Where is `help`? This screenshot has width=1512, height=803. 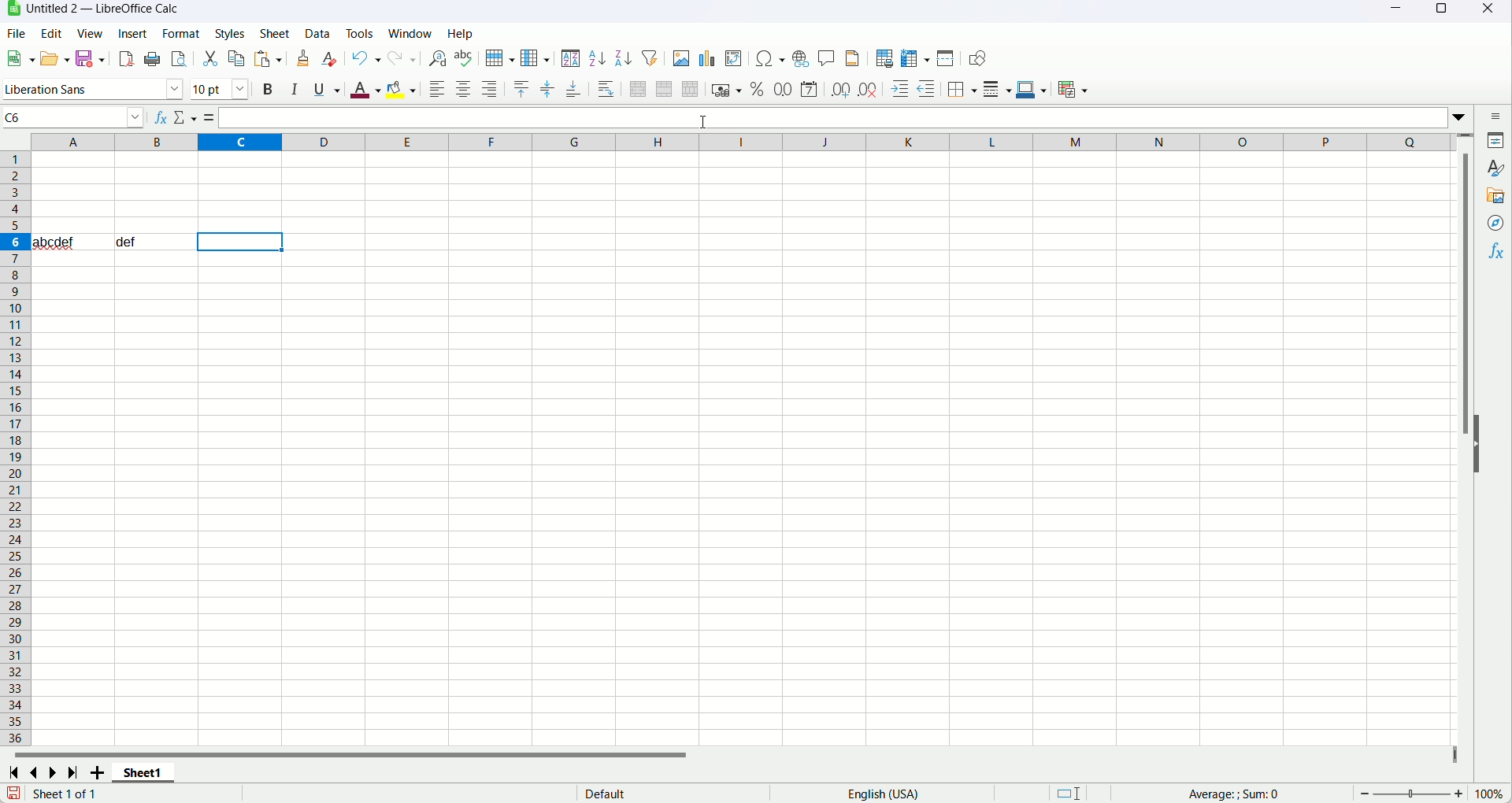
help is located at coordinates (460, 33).